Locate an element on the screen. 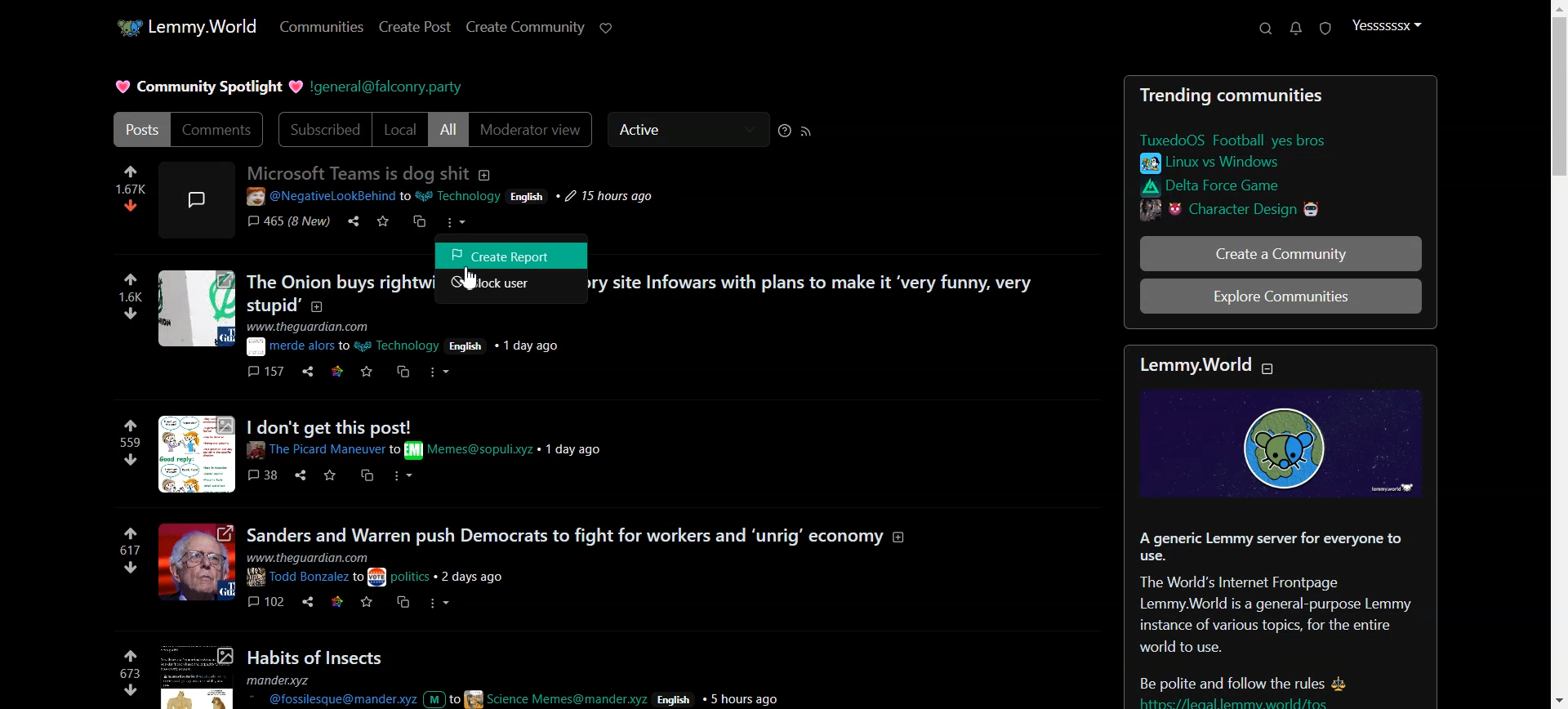 This screenshot has height=709, width=1568. image is located at coordinates (198, 453).